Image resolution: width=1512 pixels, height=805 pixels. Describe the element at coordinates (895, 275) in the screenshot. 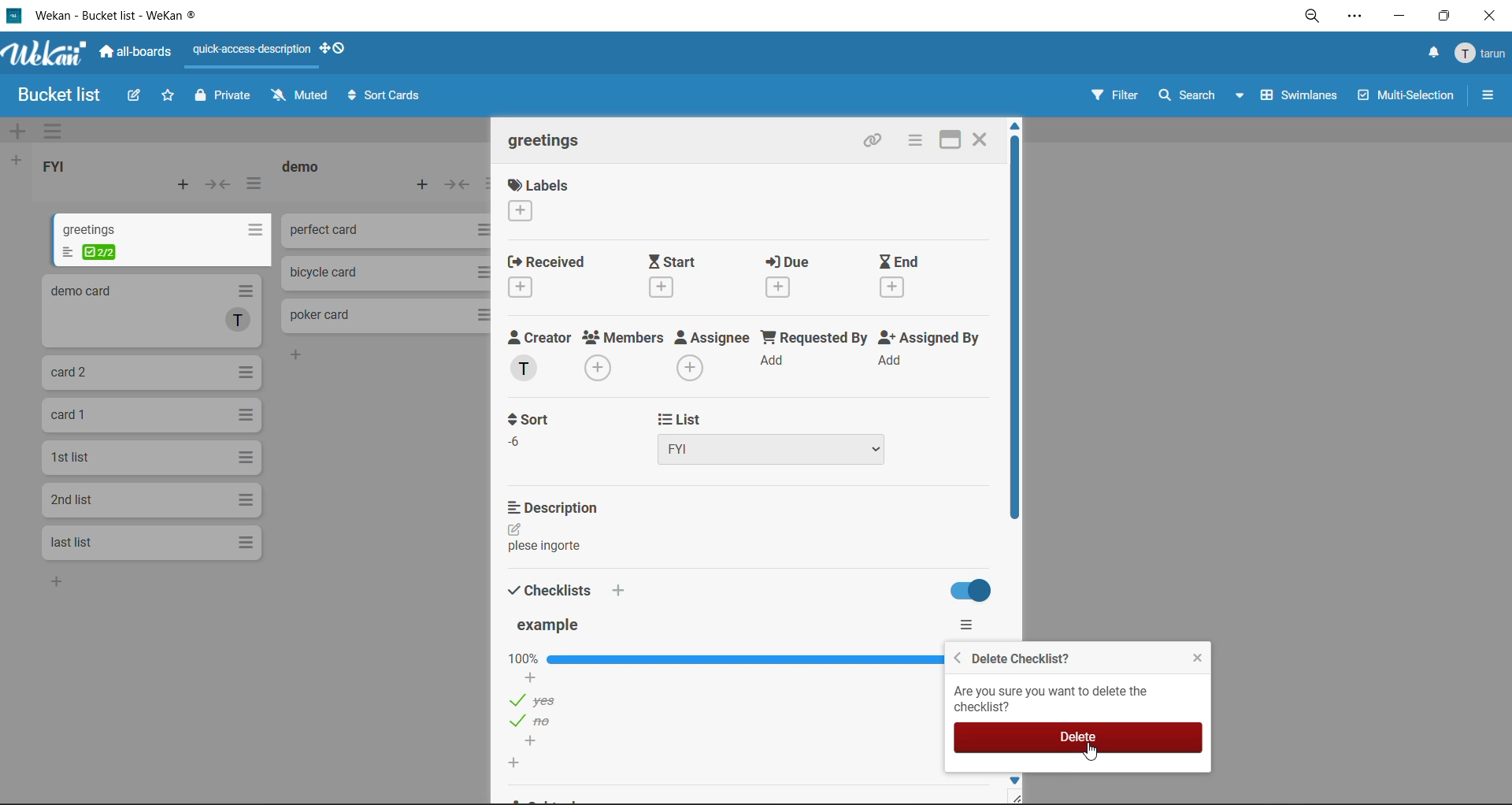

I see `end` at that location.